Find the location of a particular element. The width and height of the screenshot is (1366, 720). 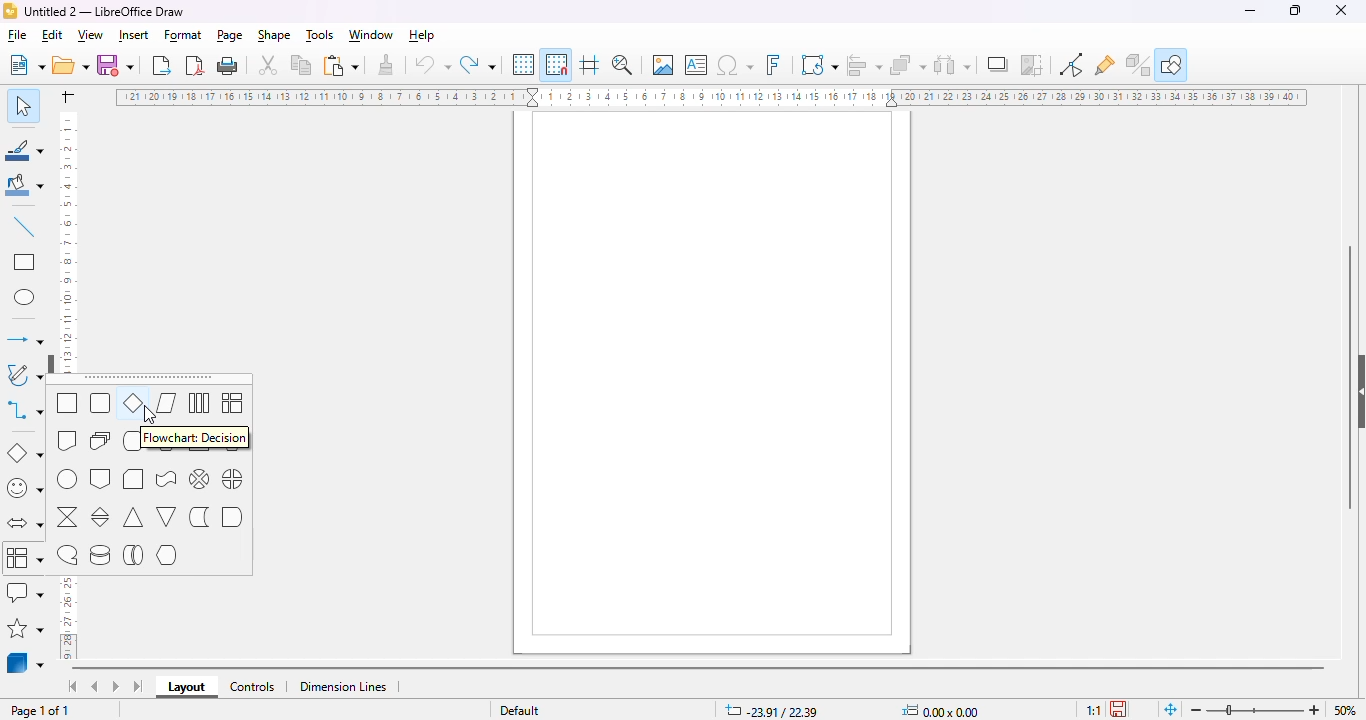

crop image is located at coordinates (1033, 66).